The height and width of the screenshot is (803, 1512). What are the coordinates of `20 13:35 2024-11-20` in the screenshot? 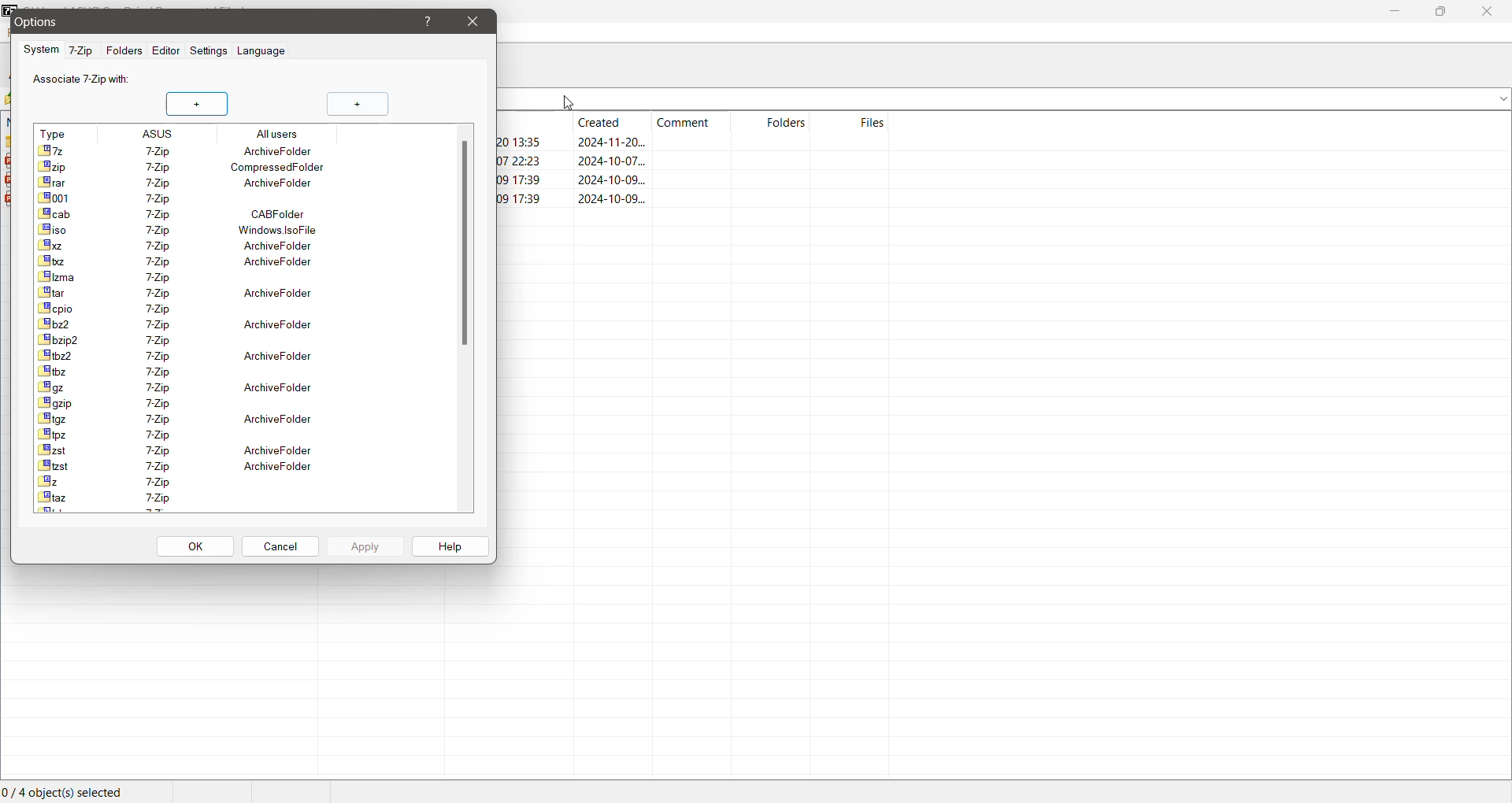 It's located at (578, 142).